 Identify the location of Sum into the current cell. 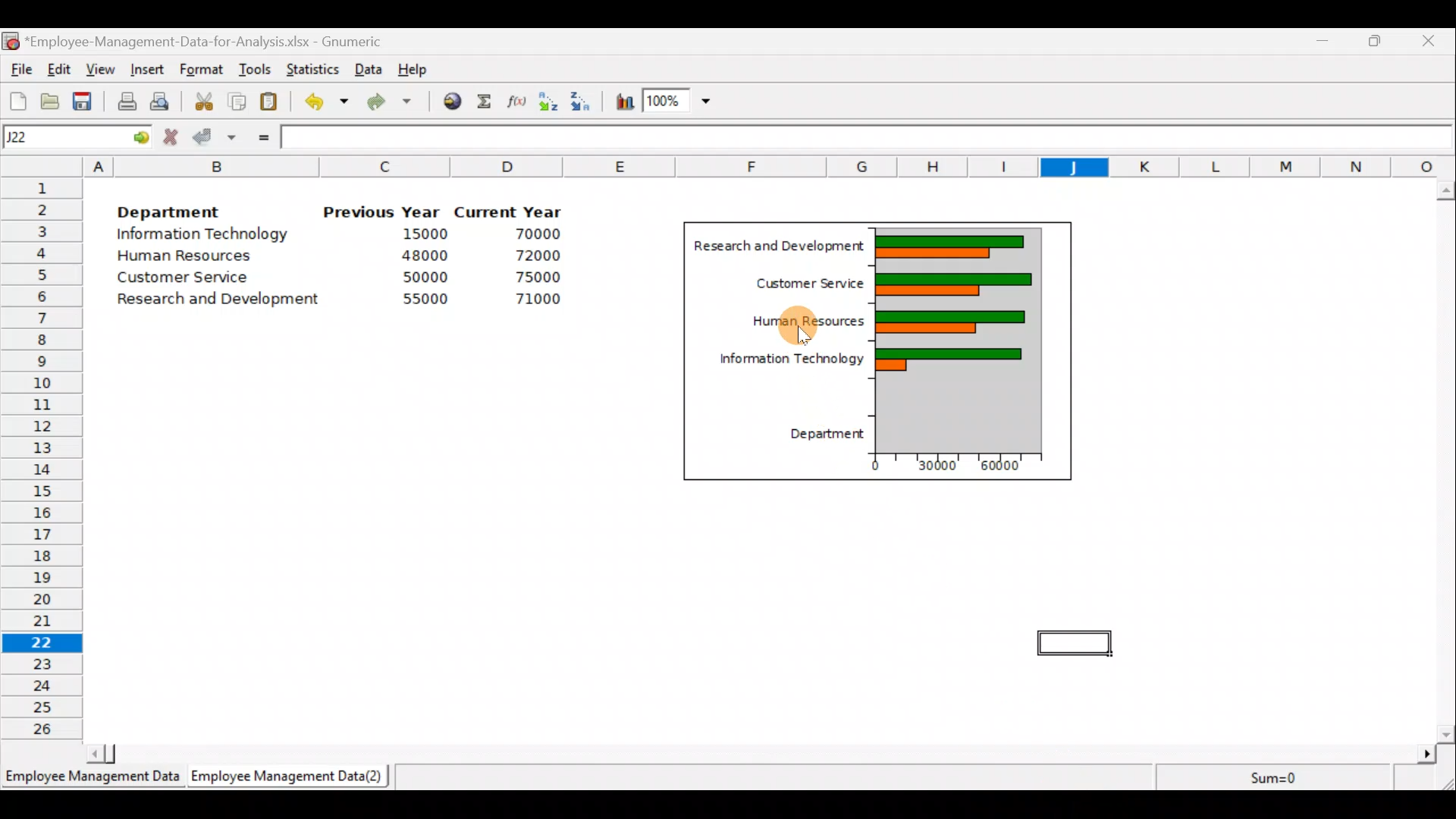
(486, 105).